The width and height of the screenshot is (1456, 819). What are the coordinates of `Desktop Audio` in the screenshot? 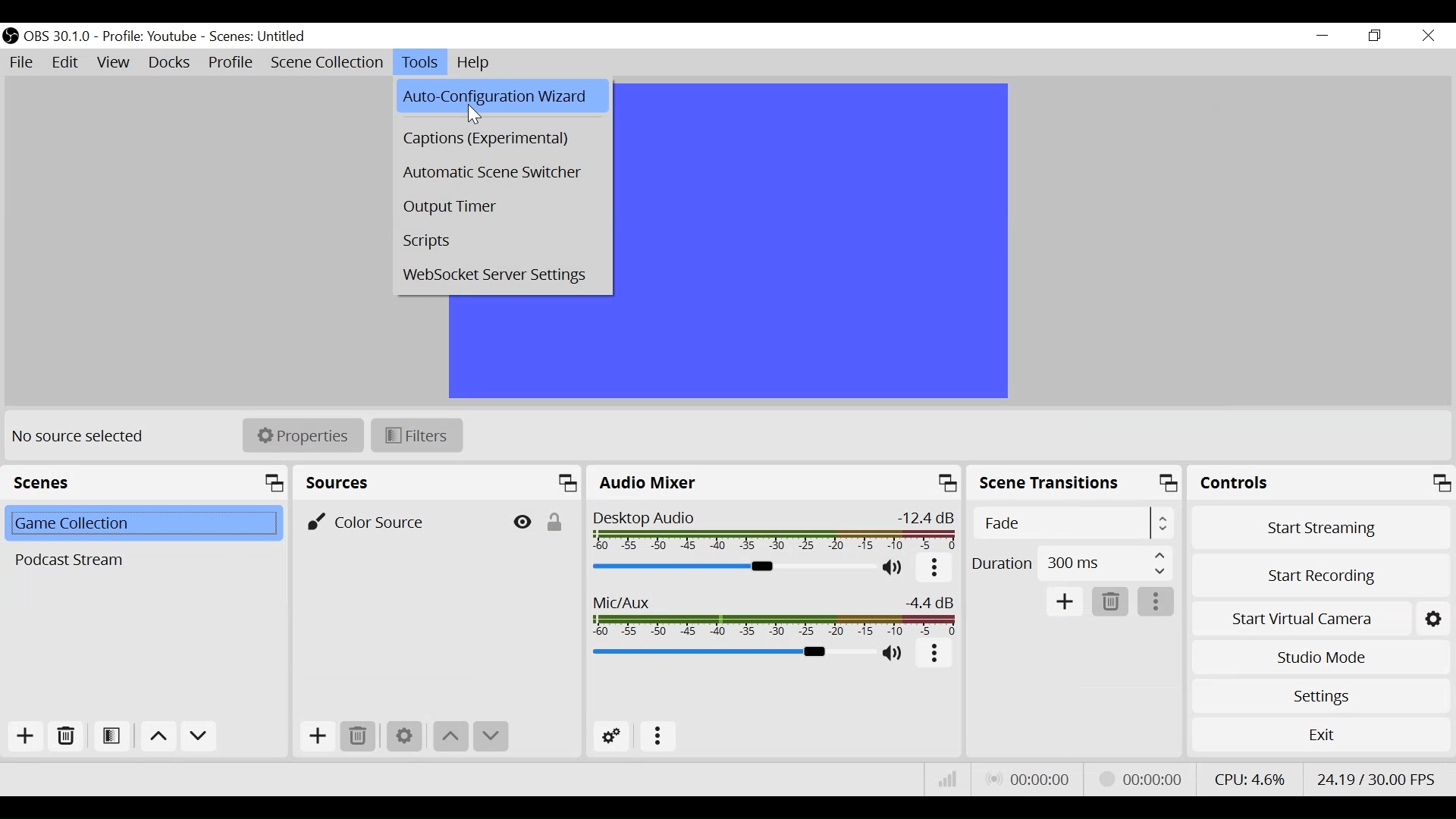 It's located at (776, 530).